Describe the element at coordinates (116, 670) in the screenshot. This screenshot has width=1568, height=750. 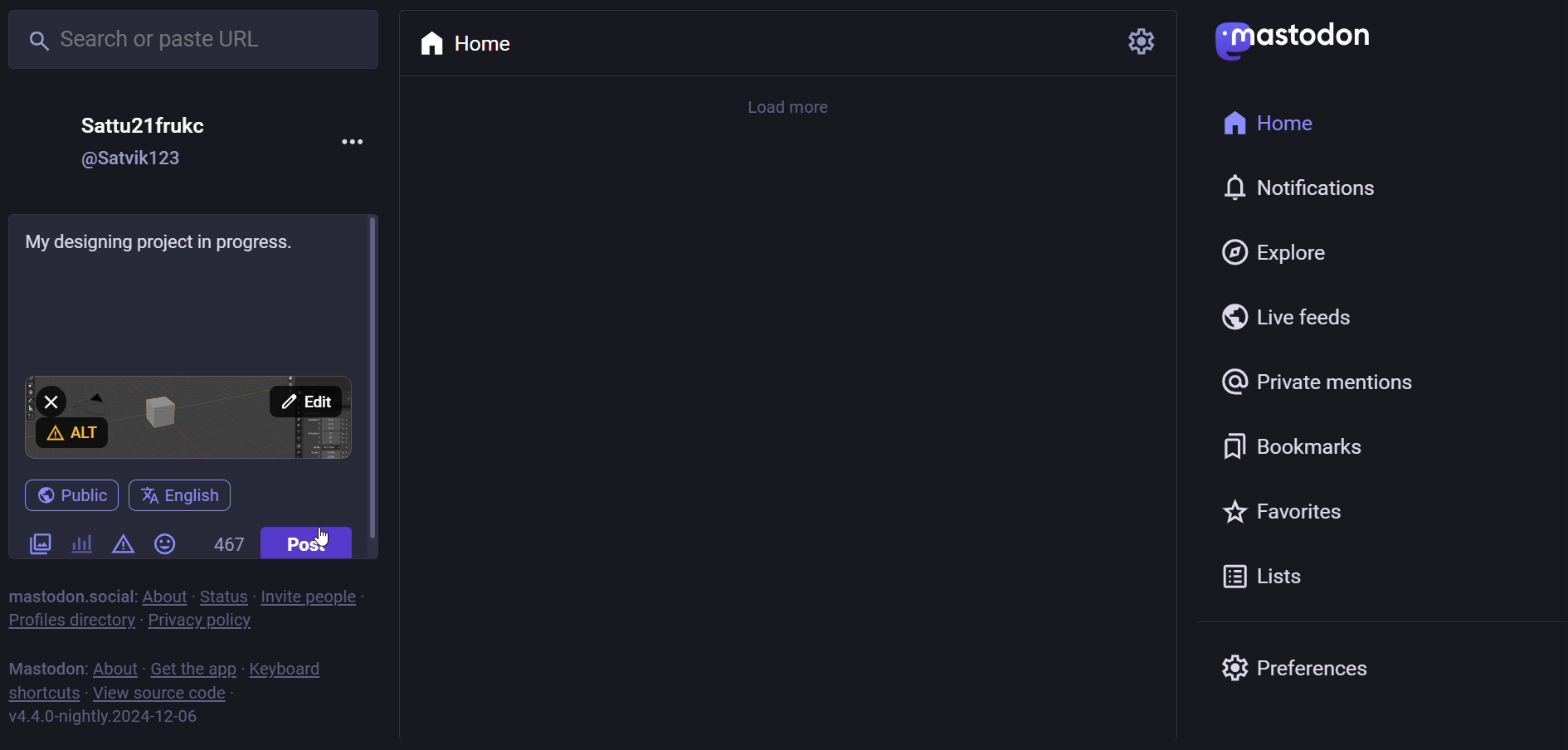
I see `about` at that location.